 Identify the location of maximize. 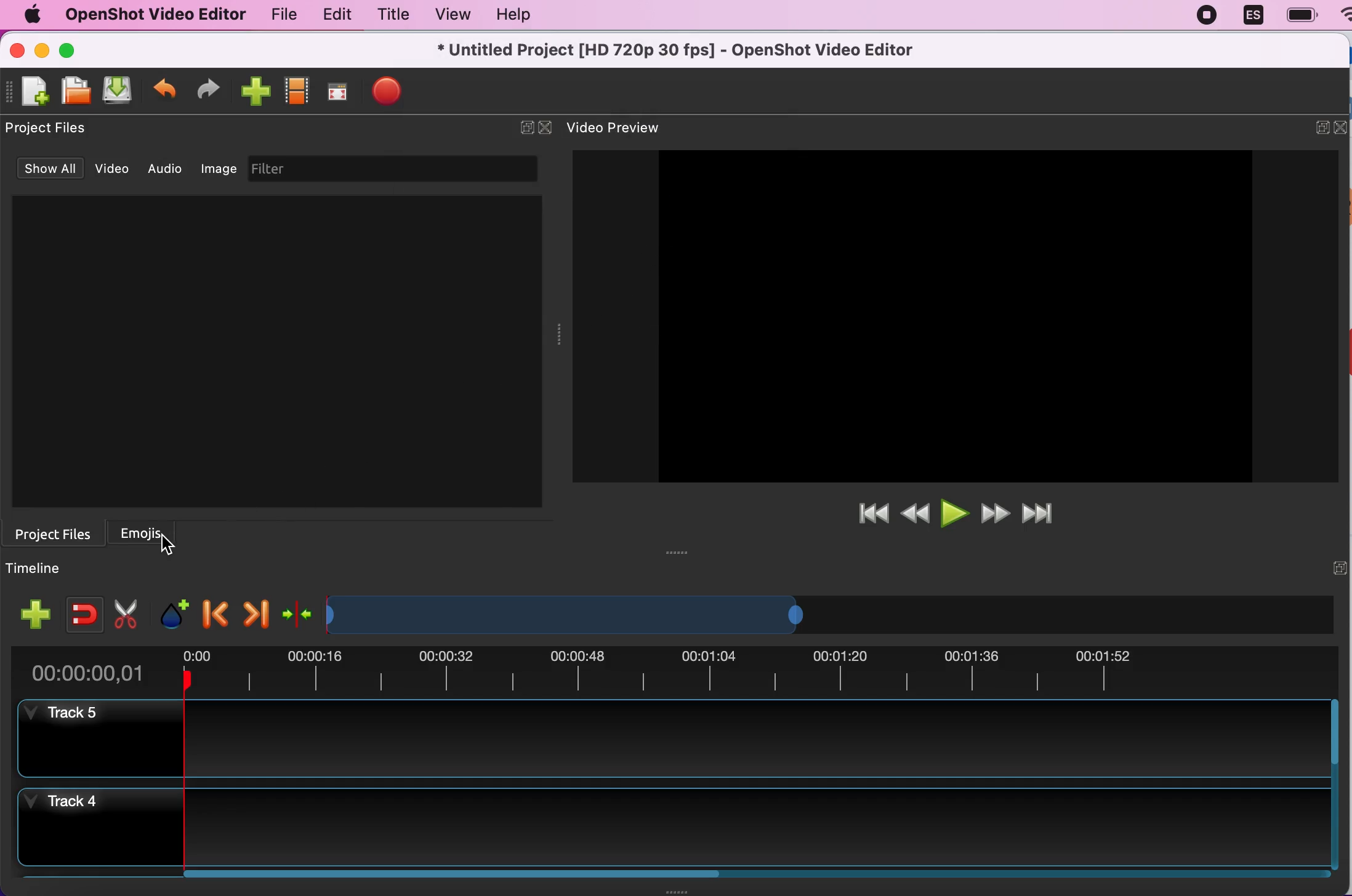
(71, 49).